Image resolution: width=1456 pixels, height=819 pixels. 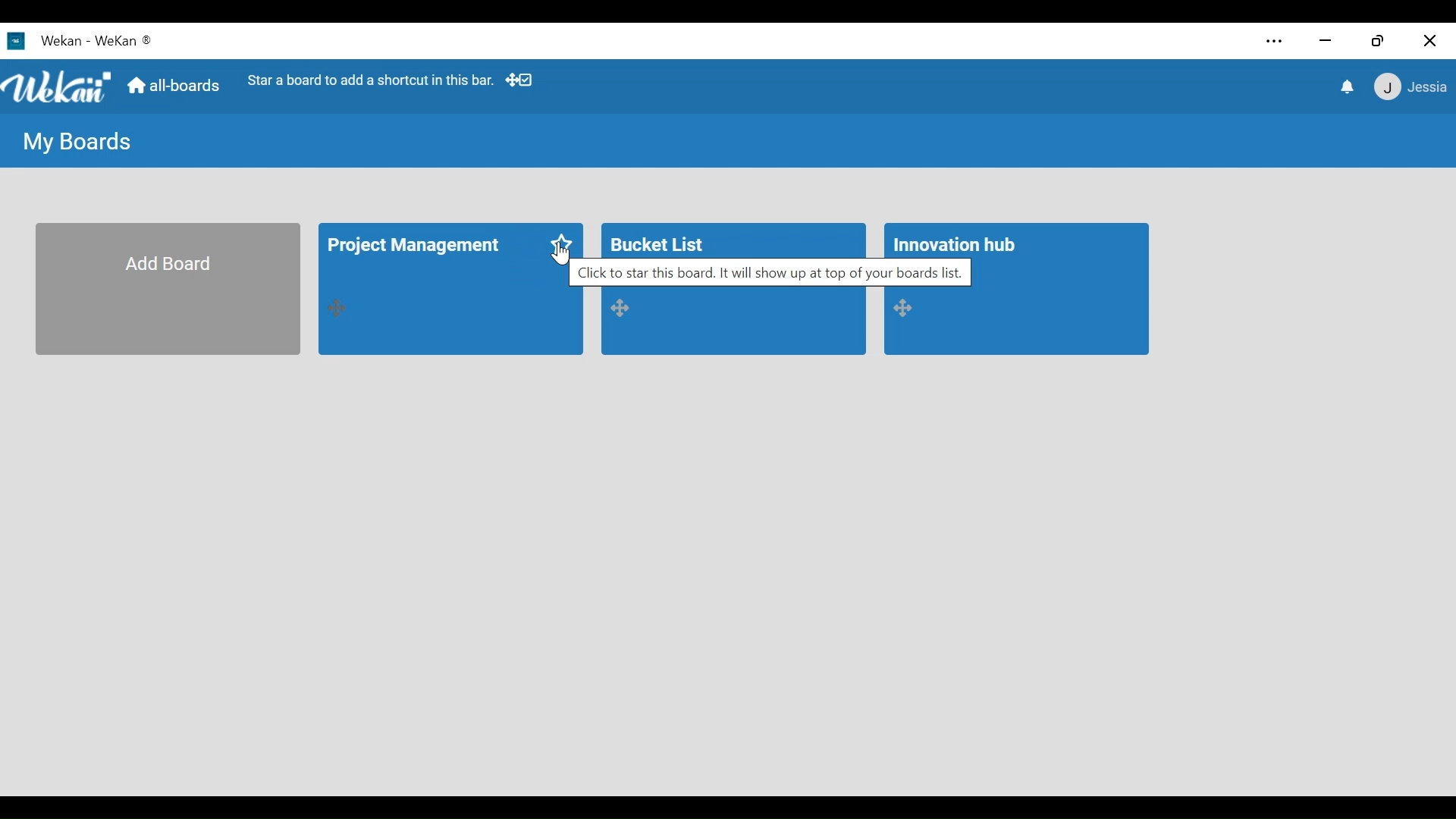 What do you see at coordinates (340, 309) in the screenshot?
I see `Desktop drag handle` at bounding box center [340, 309].